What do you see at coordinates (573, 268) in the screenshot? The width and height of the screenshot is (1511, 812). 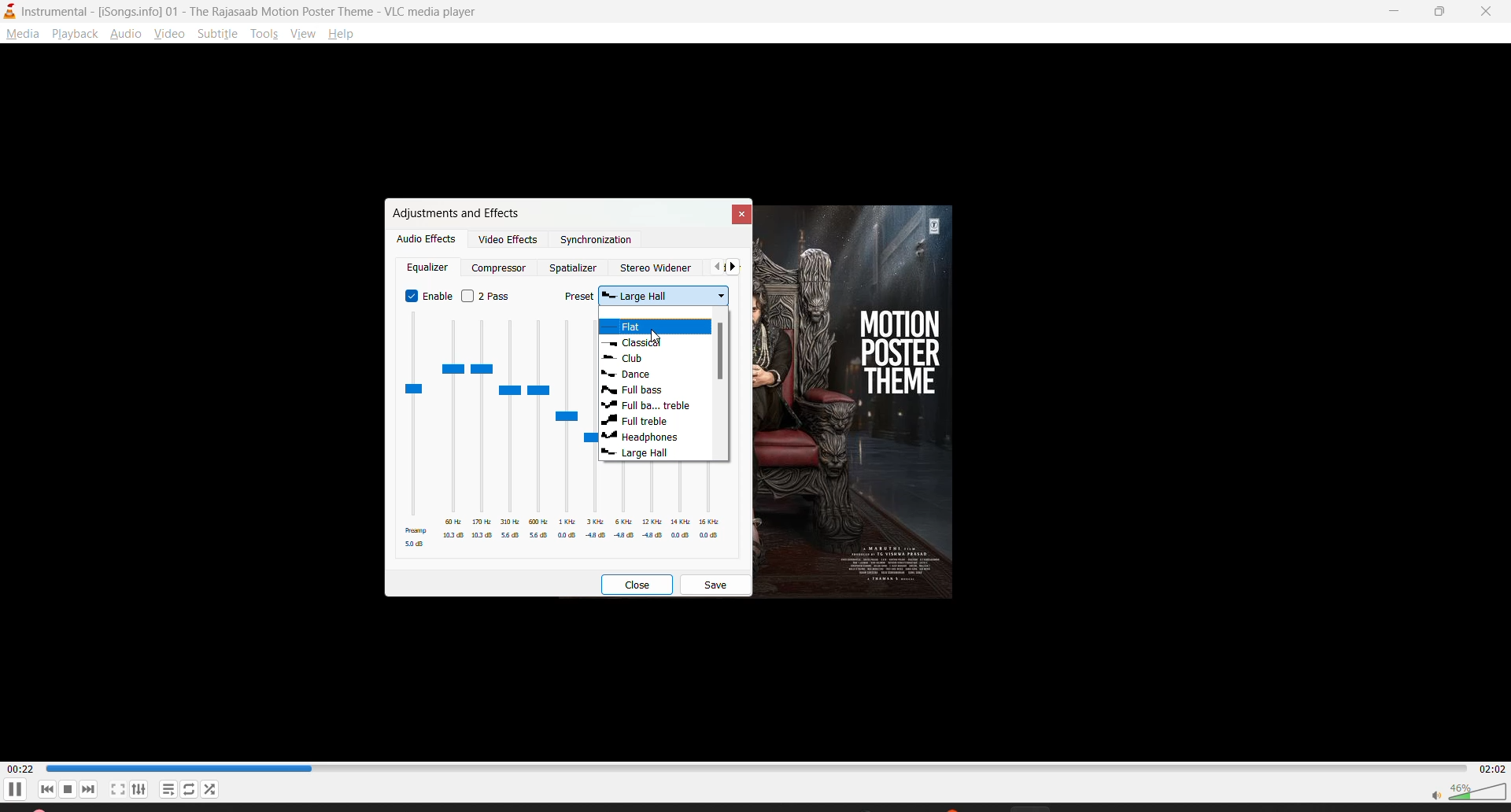 I see `spatializer` at bounding box center [573, 268].